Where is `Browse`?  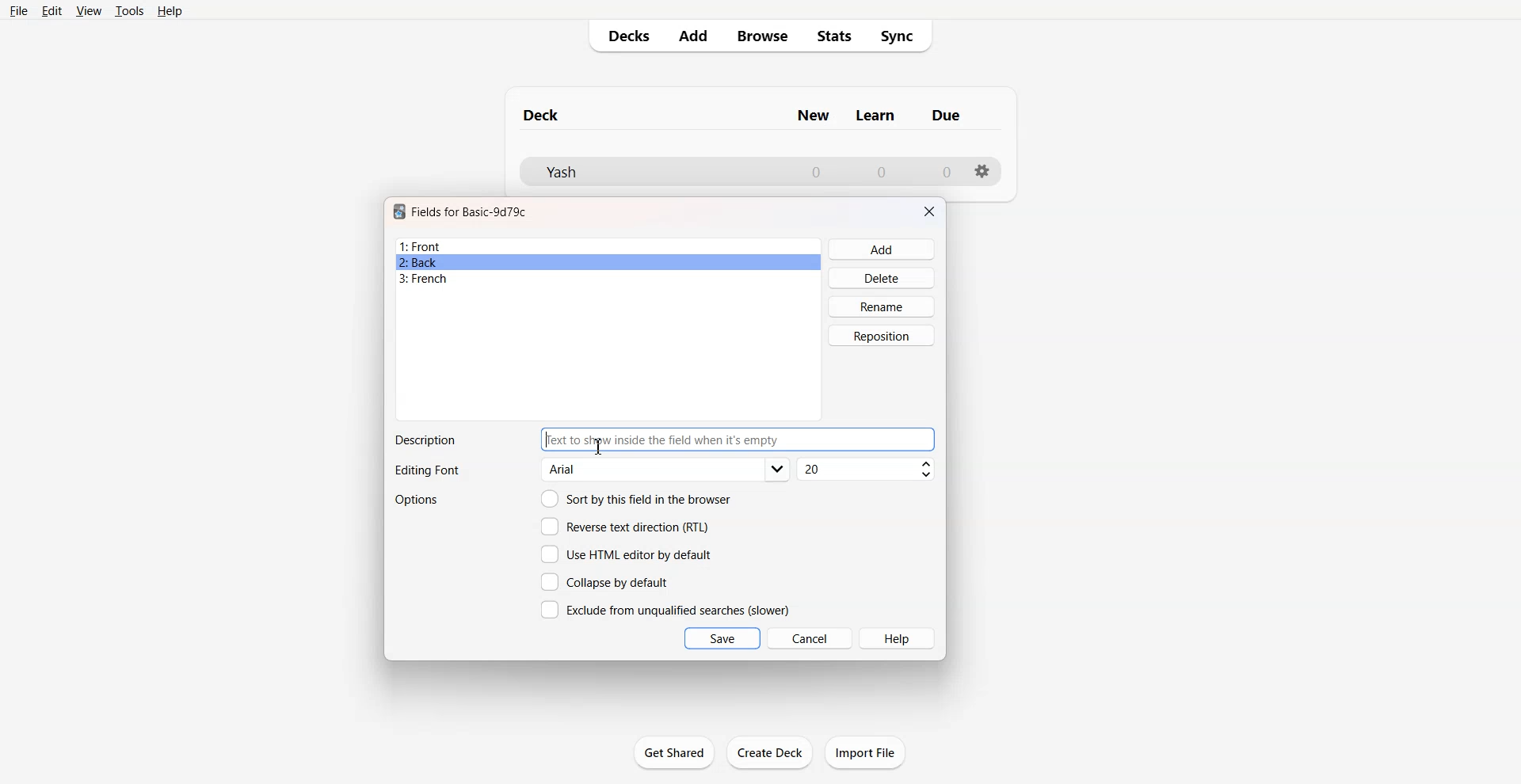 Browse is located at coordinates (761, 36).